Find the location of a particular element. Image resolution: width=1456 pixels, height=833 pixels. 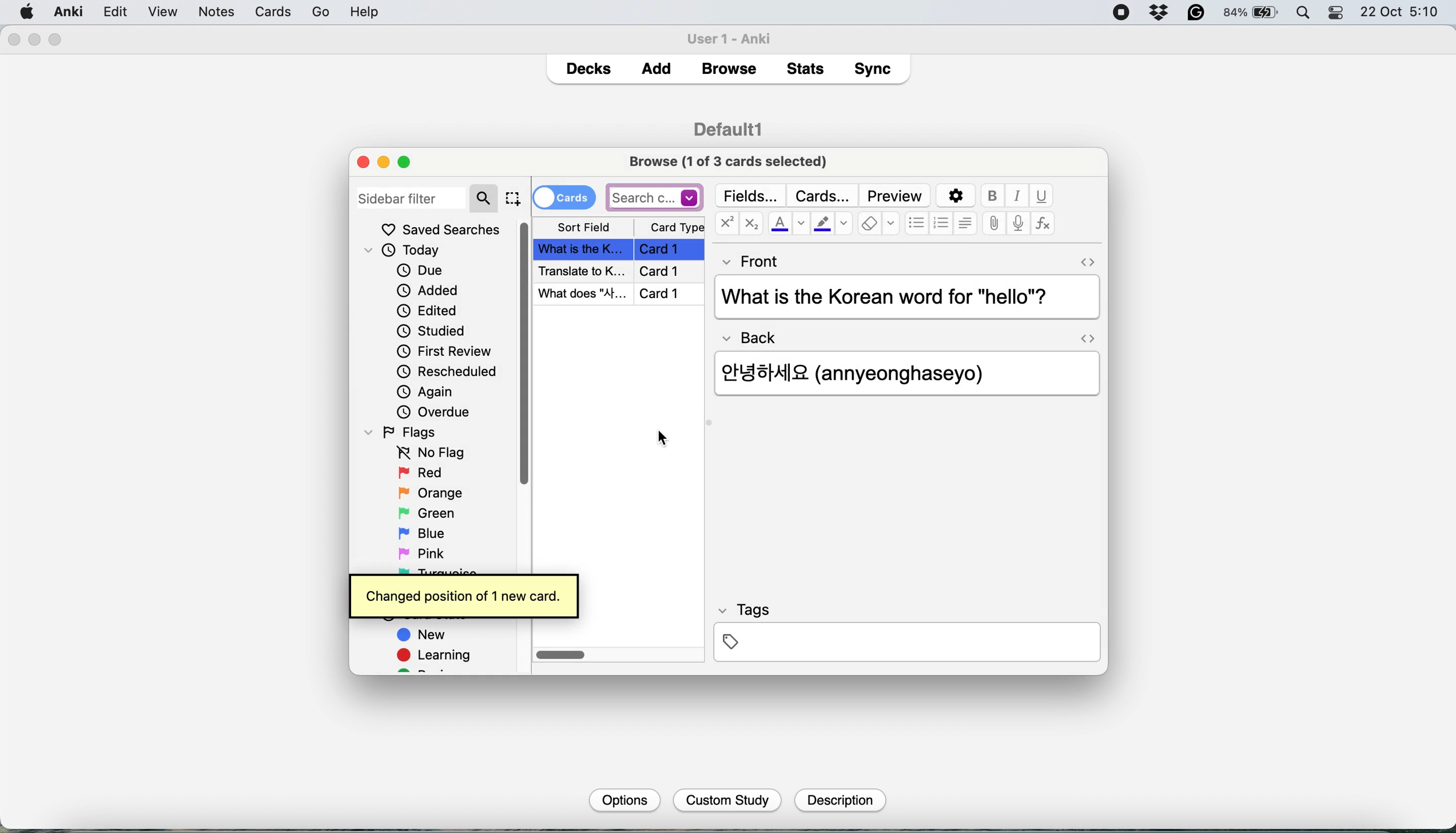

close is located at coordinates (363, 161).